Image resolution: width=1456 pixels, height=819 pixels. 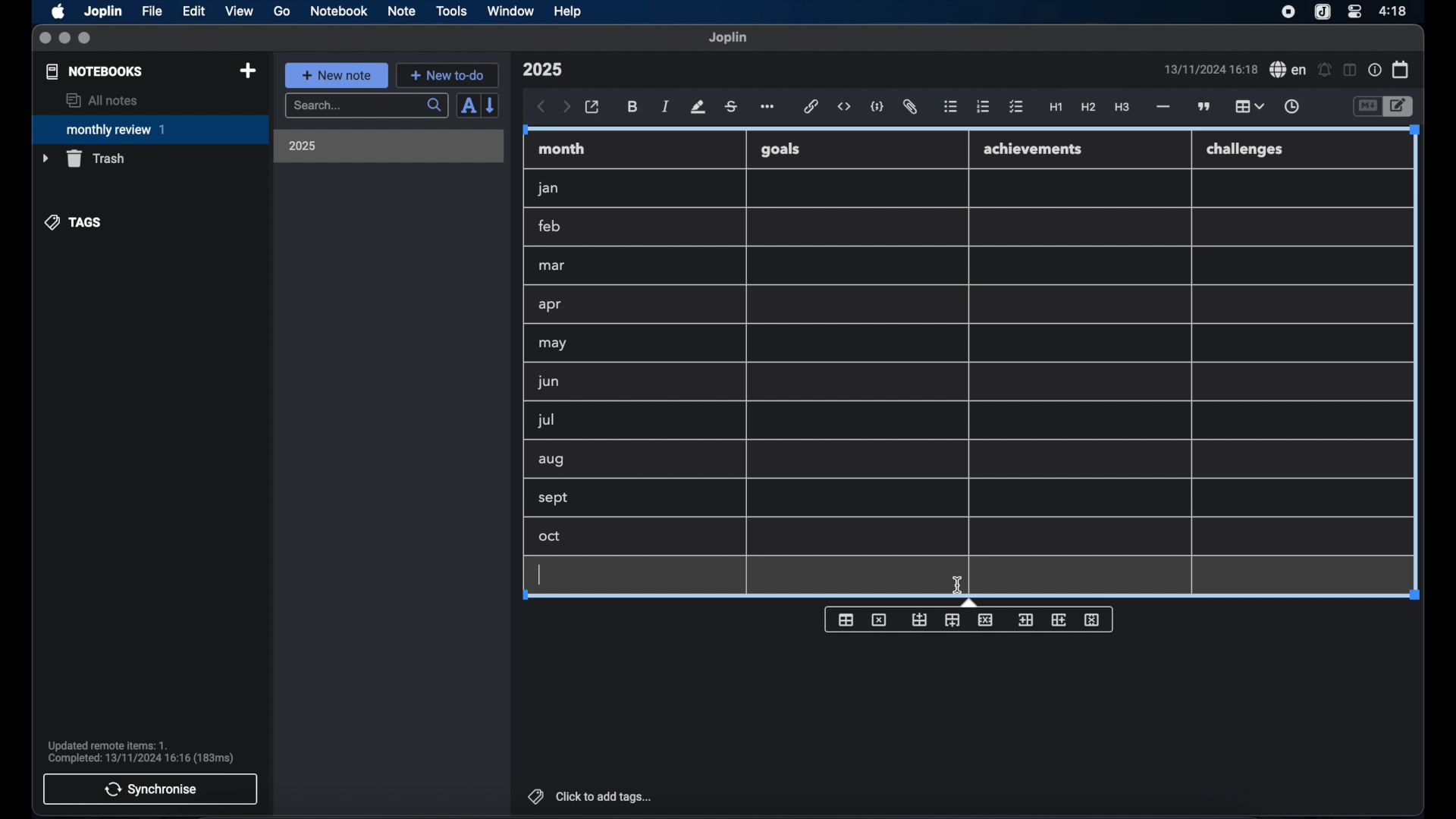 I want to click on calendar, so click(x=1401, y=69).